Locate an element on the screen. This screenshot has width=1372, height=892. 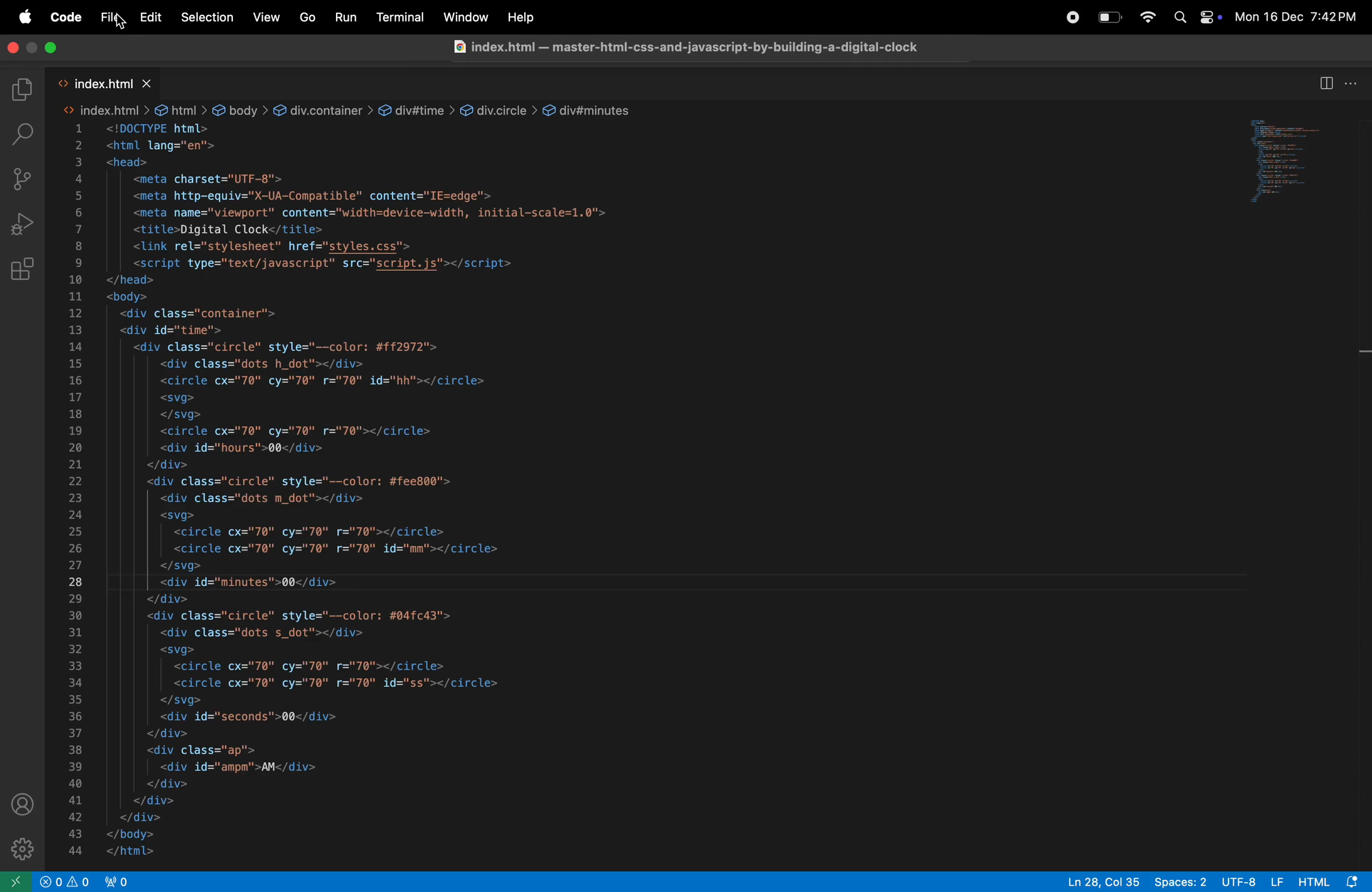
maximize is located at coordinates (54, 48).